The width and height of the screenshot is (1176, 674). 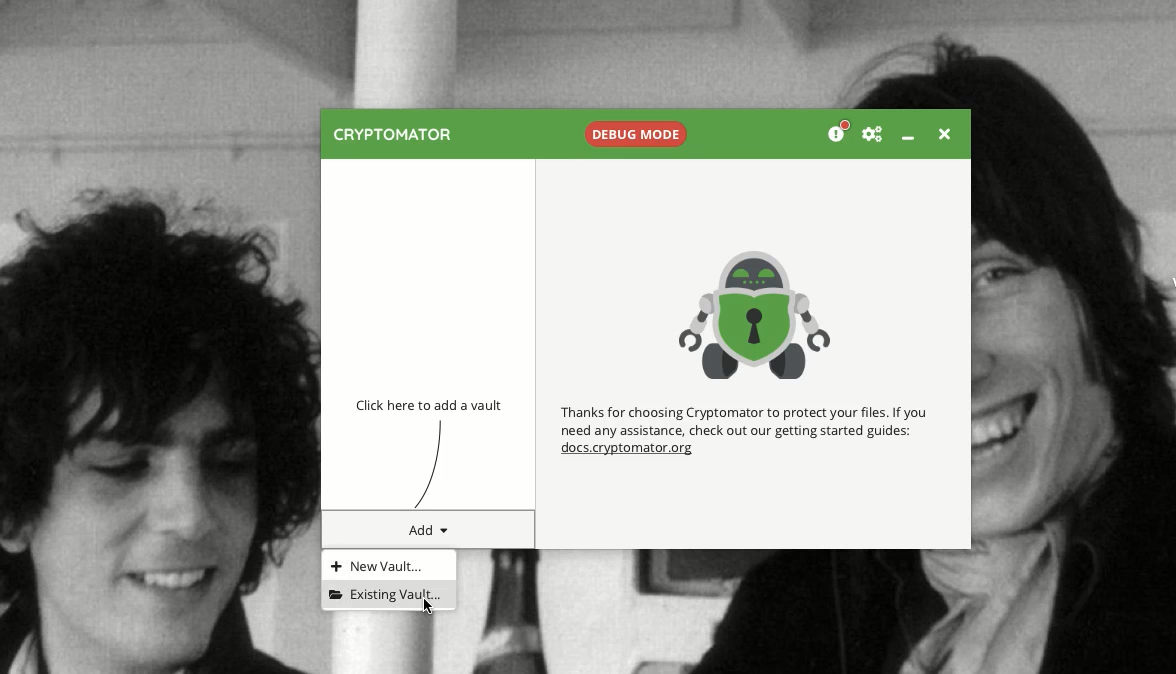 What do you see at coordinates (636, 133) in the screenshot?
I see `Debug mode` at bounding box center [636, 133].